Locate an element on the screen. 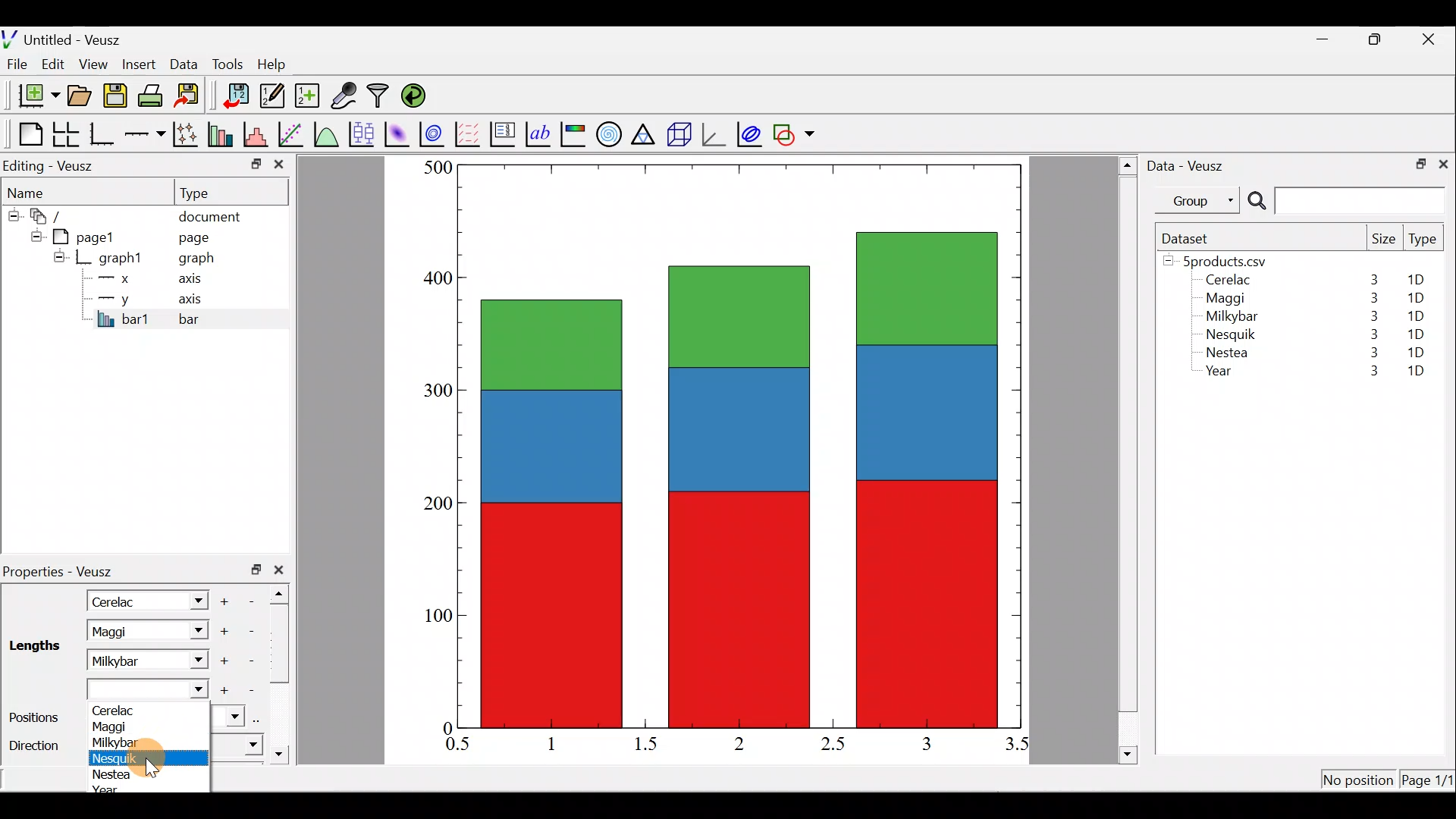 This screenshot has height=819, width=1456. Polar graph is located at coordinates (606, 132).